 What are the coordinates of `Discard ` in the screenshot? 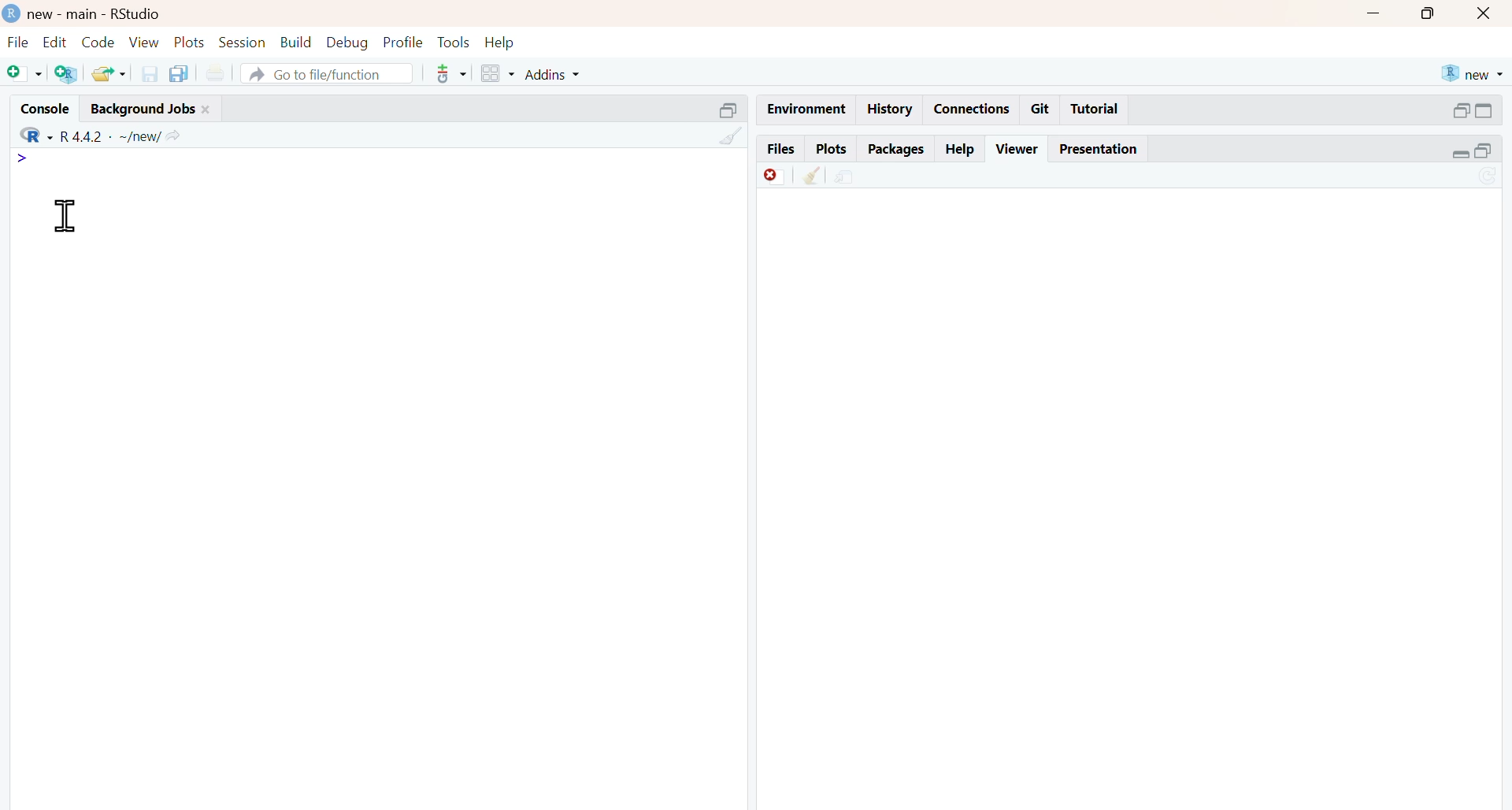 It's located at (775, 176).